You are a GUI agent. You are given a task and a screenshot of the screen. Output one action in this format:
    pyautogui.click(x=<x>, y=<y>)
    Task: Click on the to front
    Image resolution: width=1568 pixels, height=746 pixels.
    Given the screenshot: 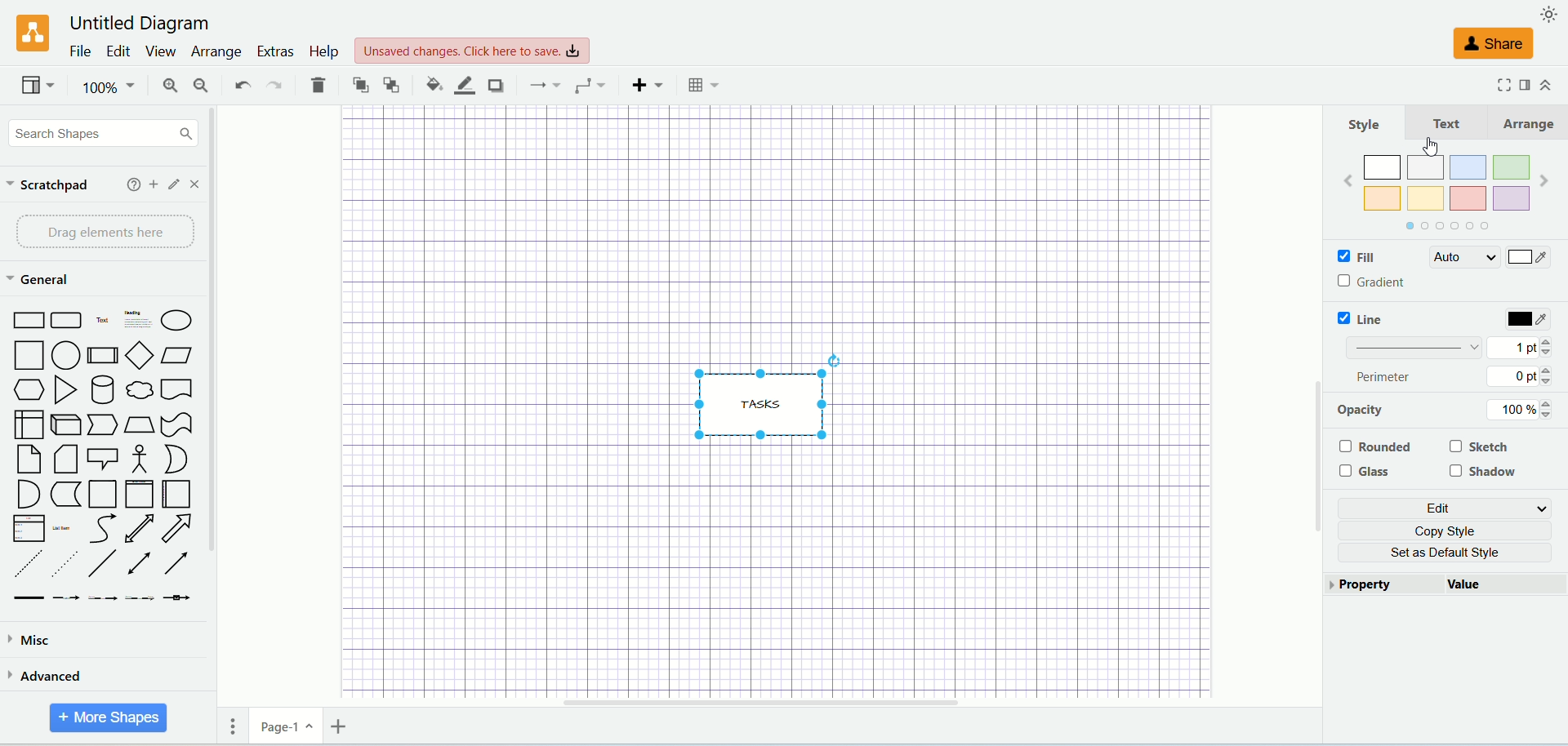 What is the action you would take?
    pyautogui.click(x=357, y=83)
    